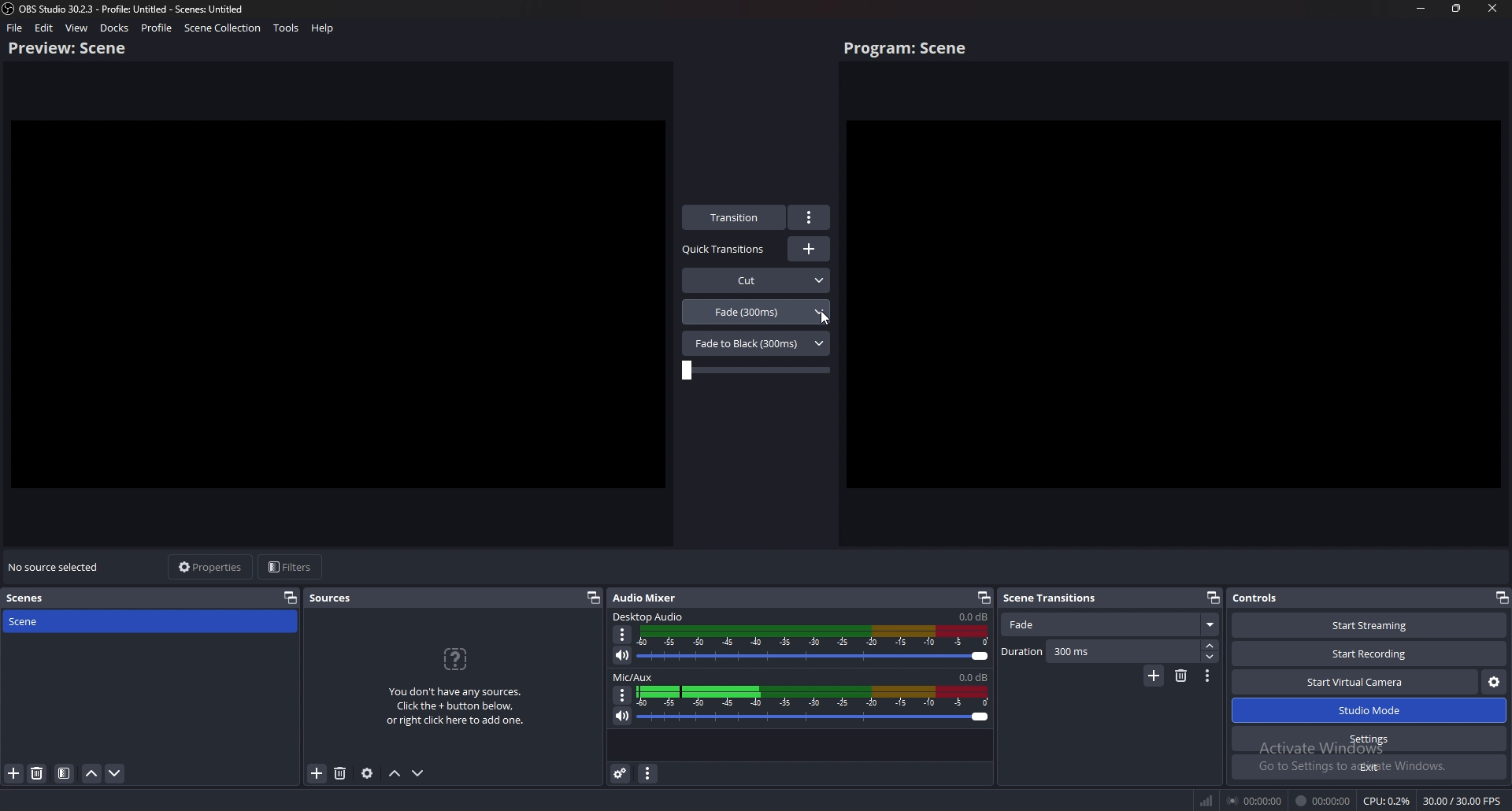  What do you see at coordinates (116, 776) in the screenshot?
I see `move scene down` at bounding box center [116, 776].